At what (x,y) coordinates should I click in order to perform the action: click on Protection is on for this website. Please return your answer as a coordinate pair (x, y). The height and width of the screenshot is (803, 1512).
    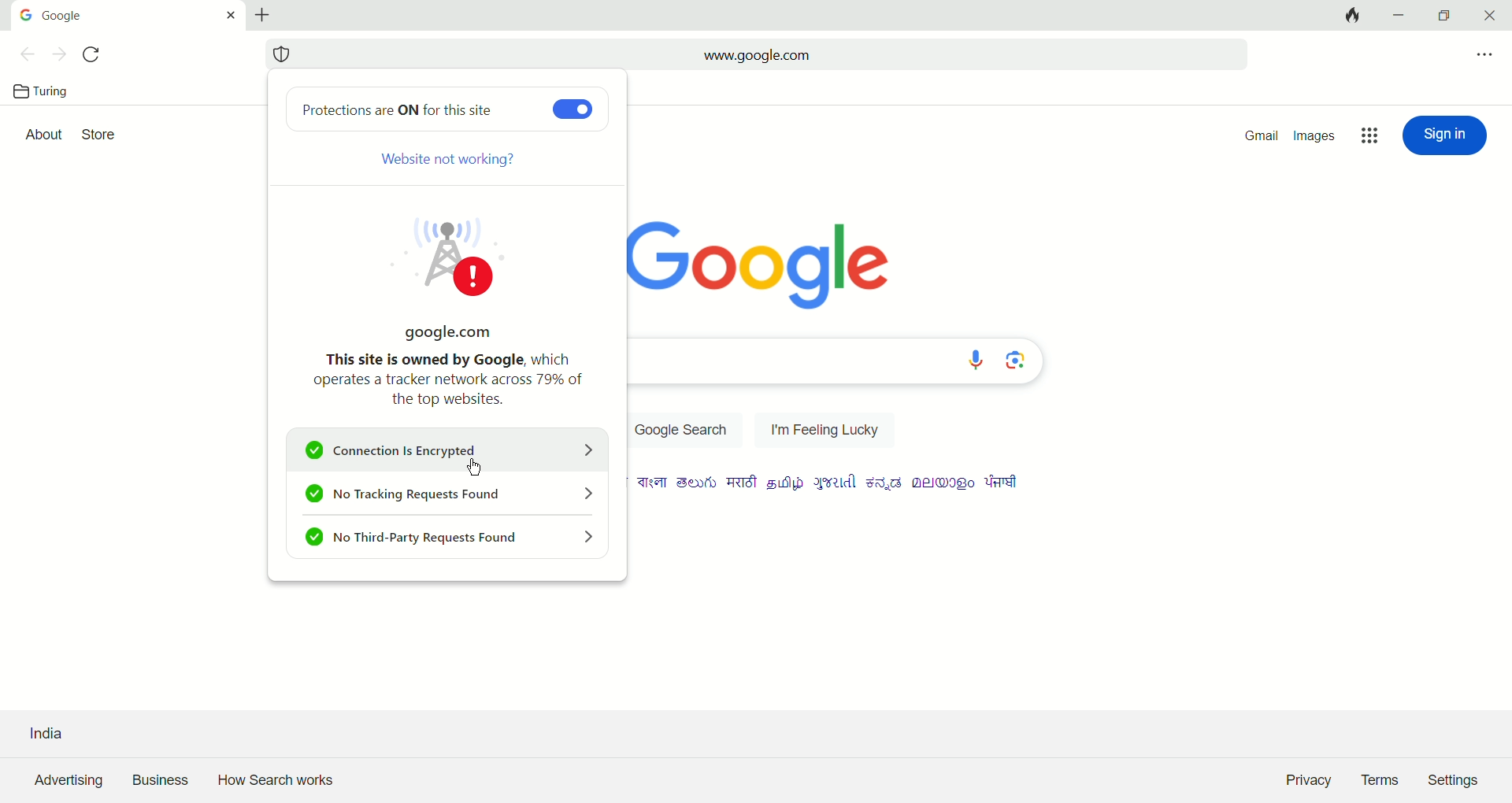
    Looking at the image, I should click on (408, 108).